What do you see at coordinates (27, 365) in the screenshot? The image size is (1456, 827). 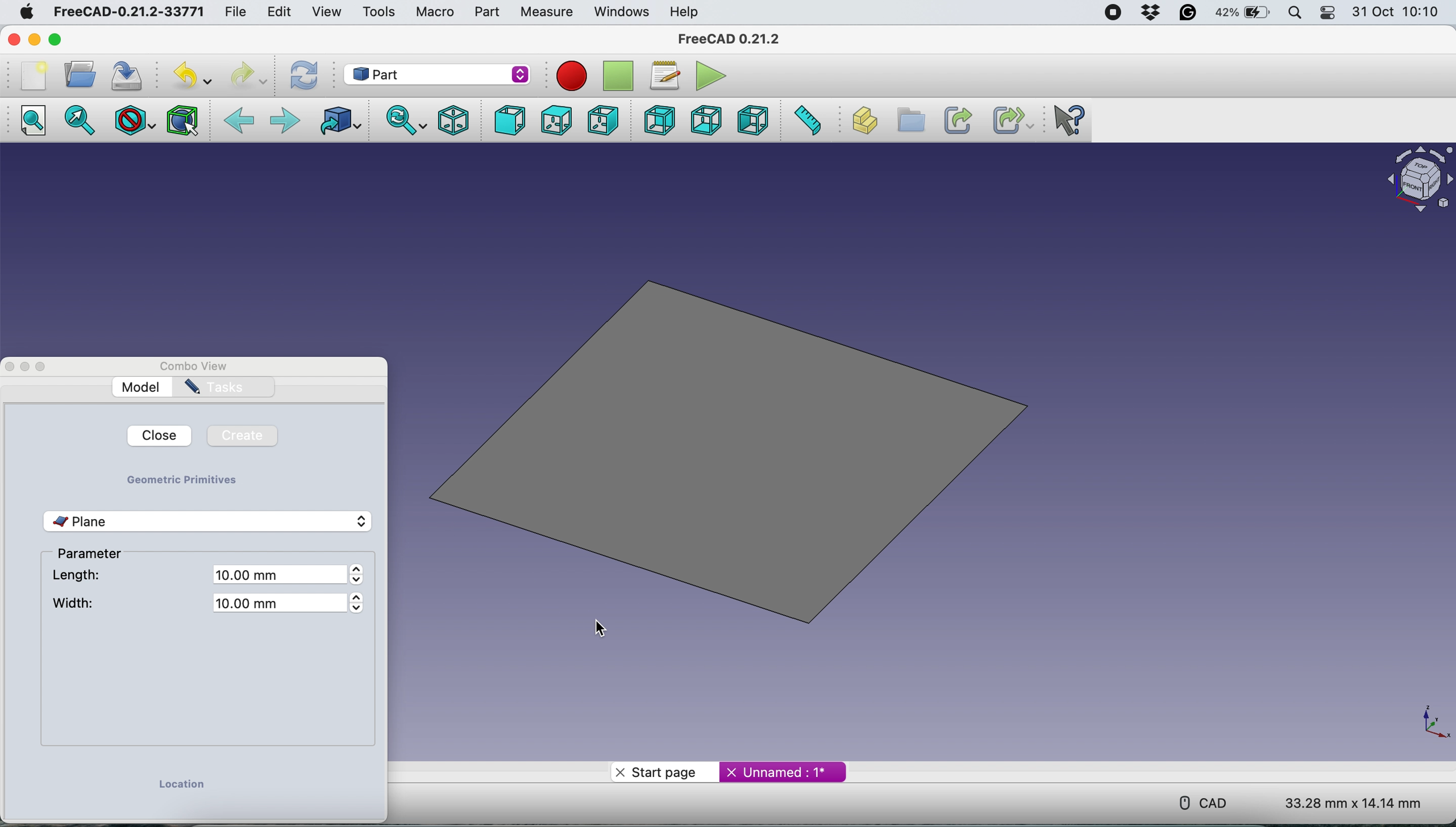 I see `Minimize` at bounding box center [27, 365].